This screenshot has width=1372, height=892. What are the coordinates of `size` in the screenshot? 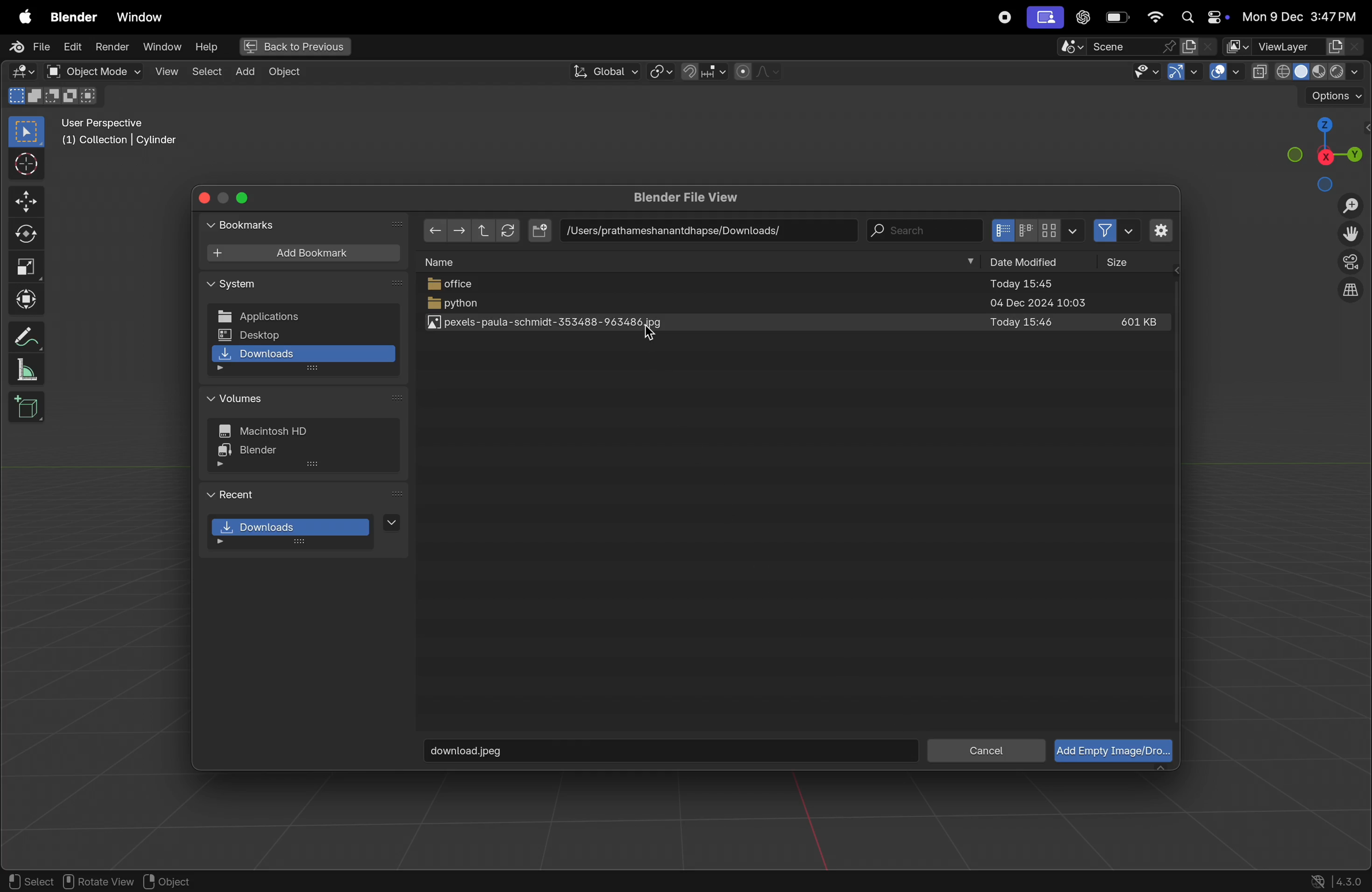 It's located at (1128, 263).